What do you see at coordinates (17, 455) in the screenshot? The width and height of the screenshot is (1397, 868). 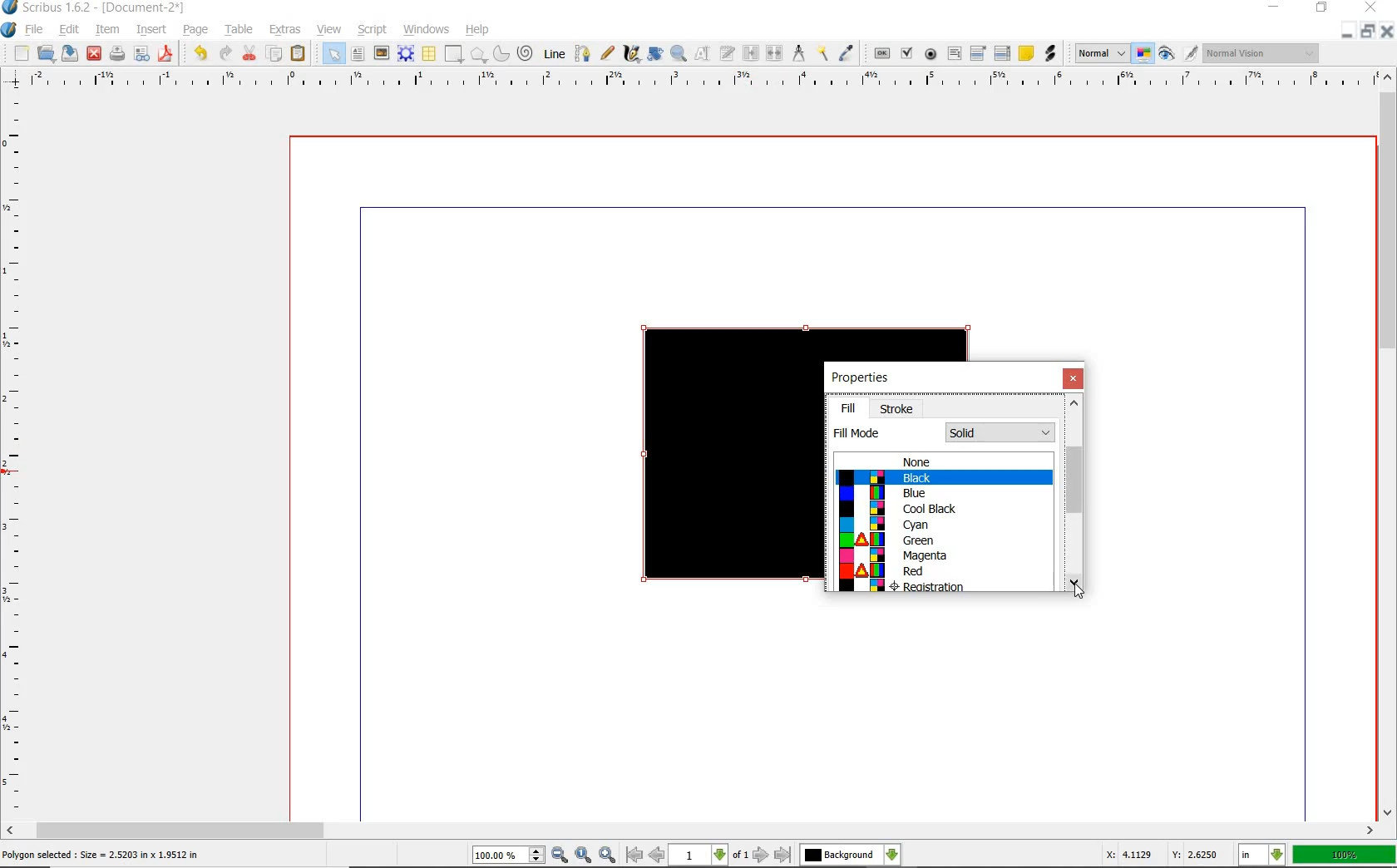 I see `ruler` at bounding box center [17, 455].